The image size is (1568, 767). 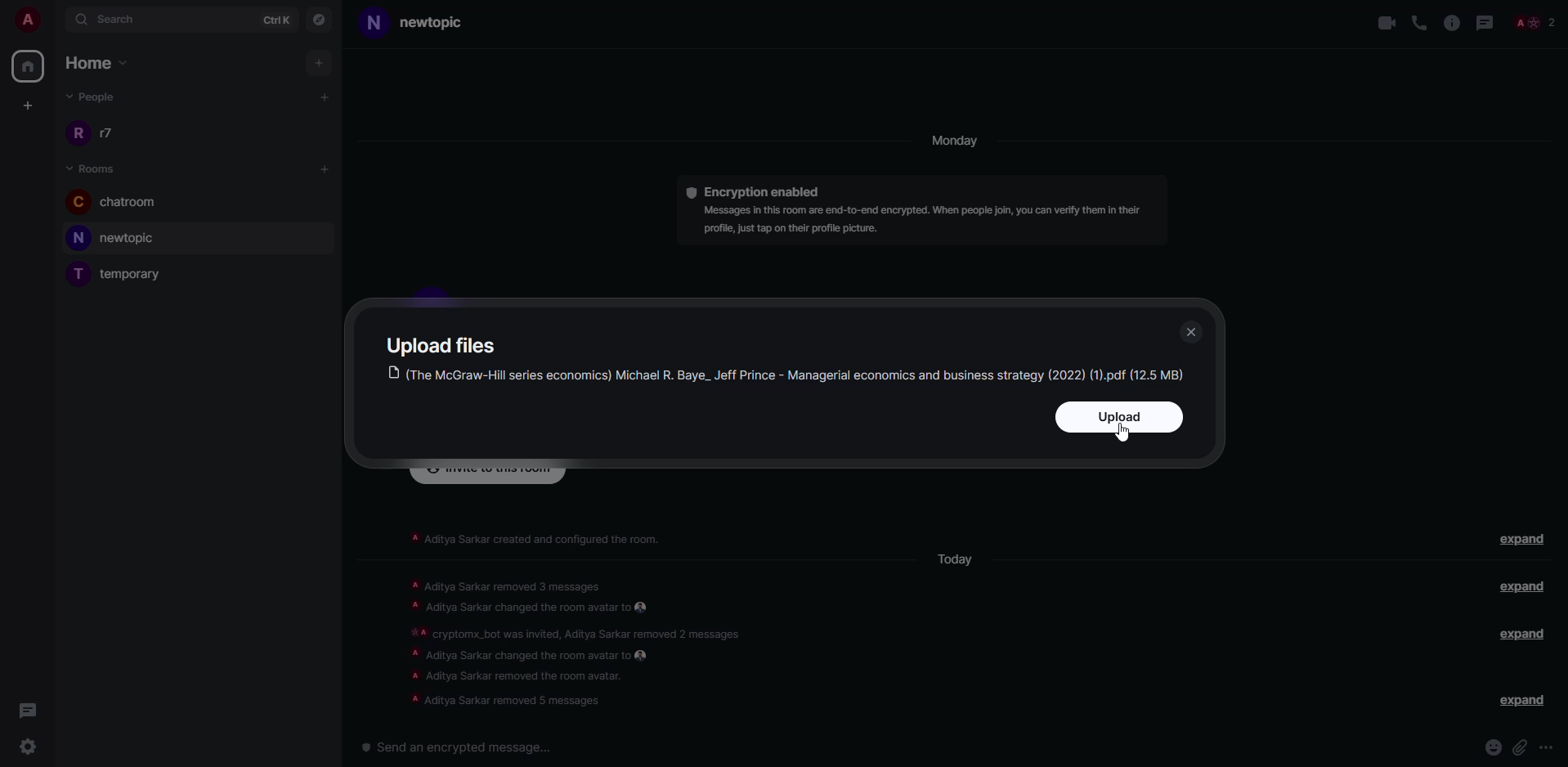 I want to click on add, so click(x=325, y=94).